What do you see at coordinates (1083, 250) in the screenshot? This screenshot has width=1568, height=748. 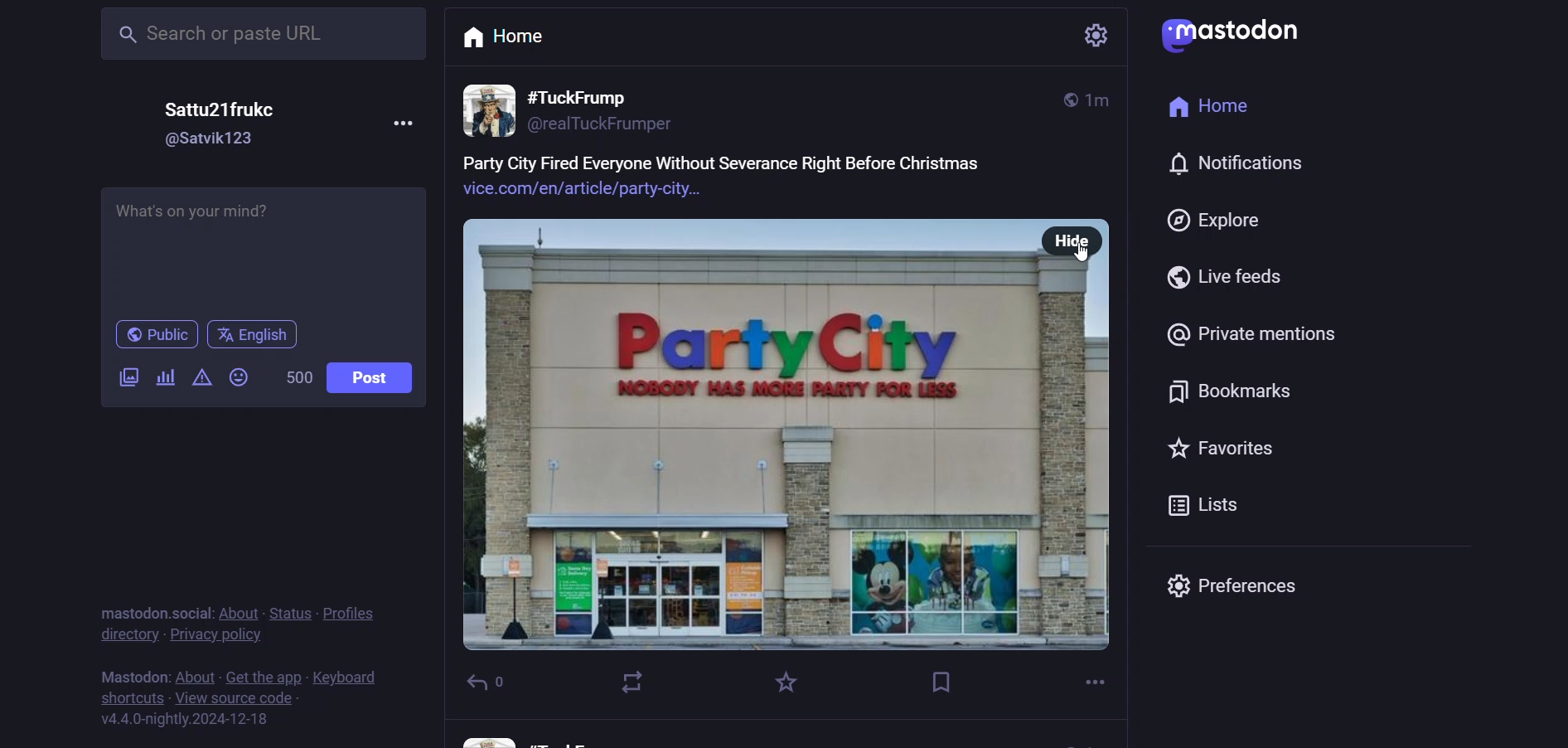 I see `Cursor` at bounding box center [1083, 250].